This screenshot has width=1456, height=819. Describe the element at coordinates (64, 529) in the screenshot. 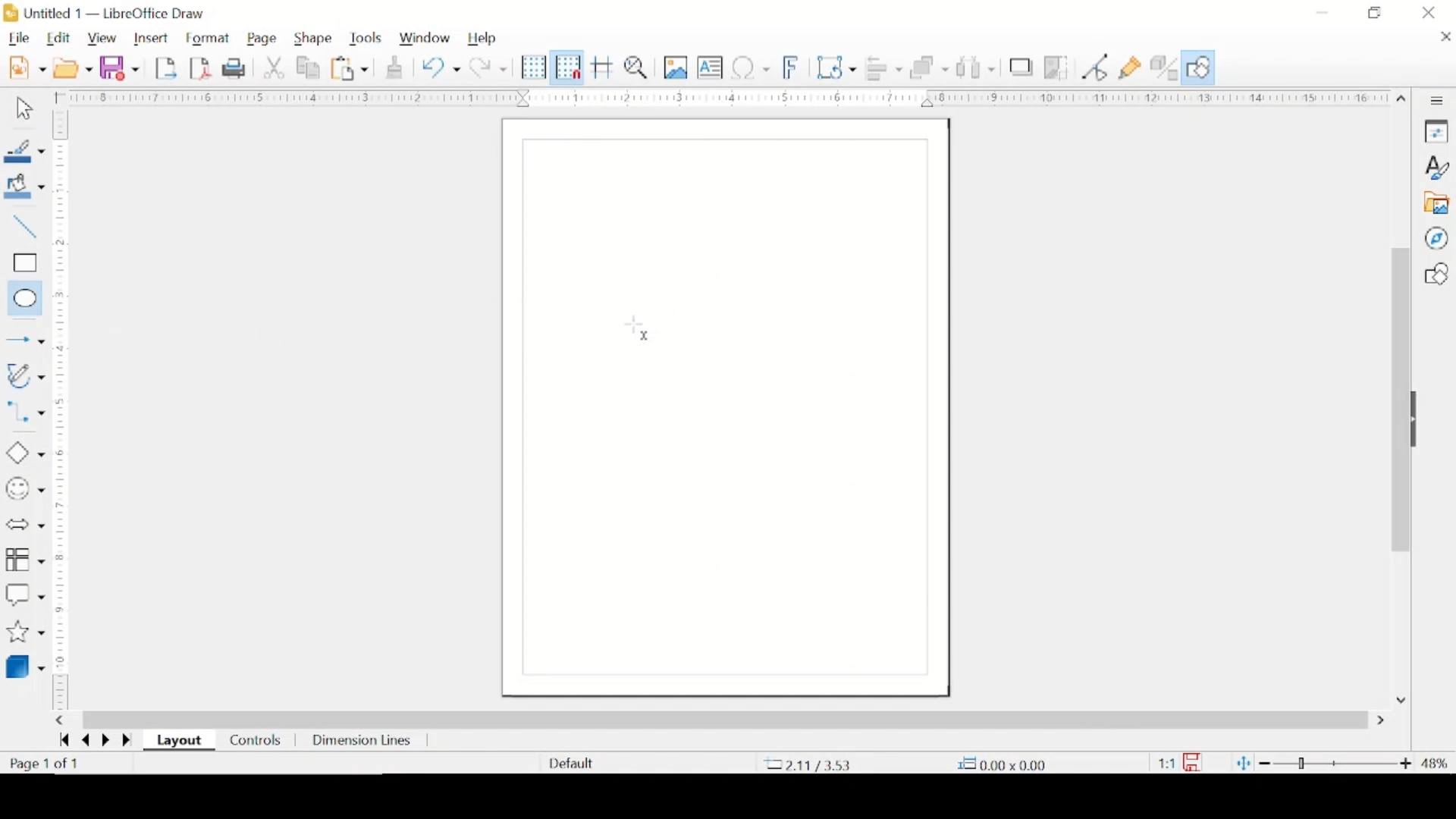

I see `margin` at that location.